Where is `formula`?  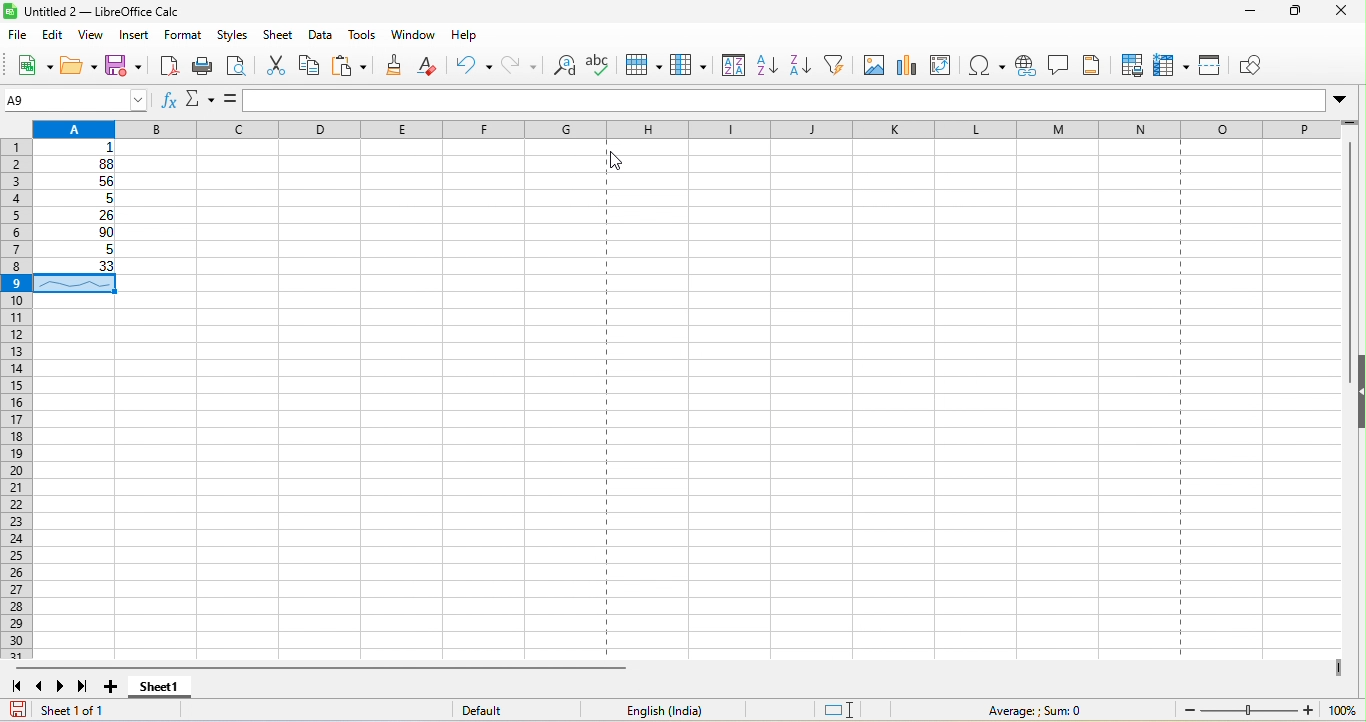
formula is located at coordinates (228, 99).